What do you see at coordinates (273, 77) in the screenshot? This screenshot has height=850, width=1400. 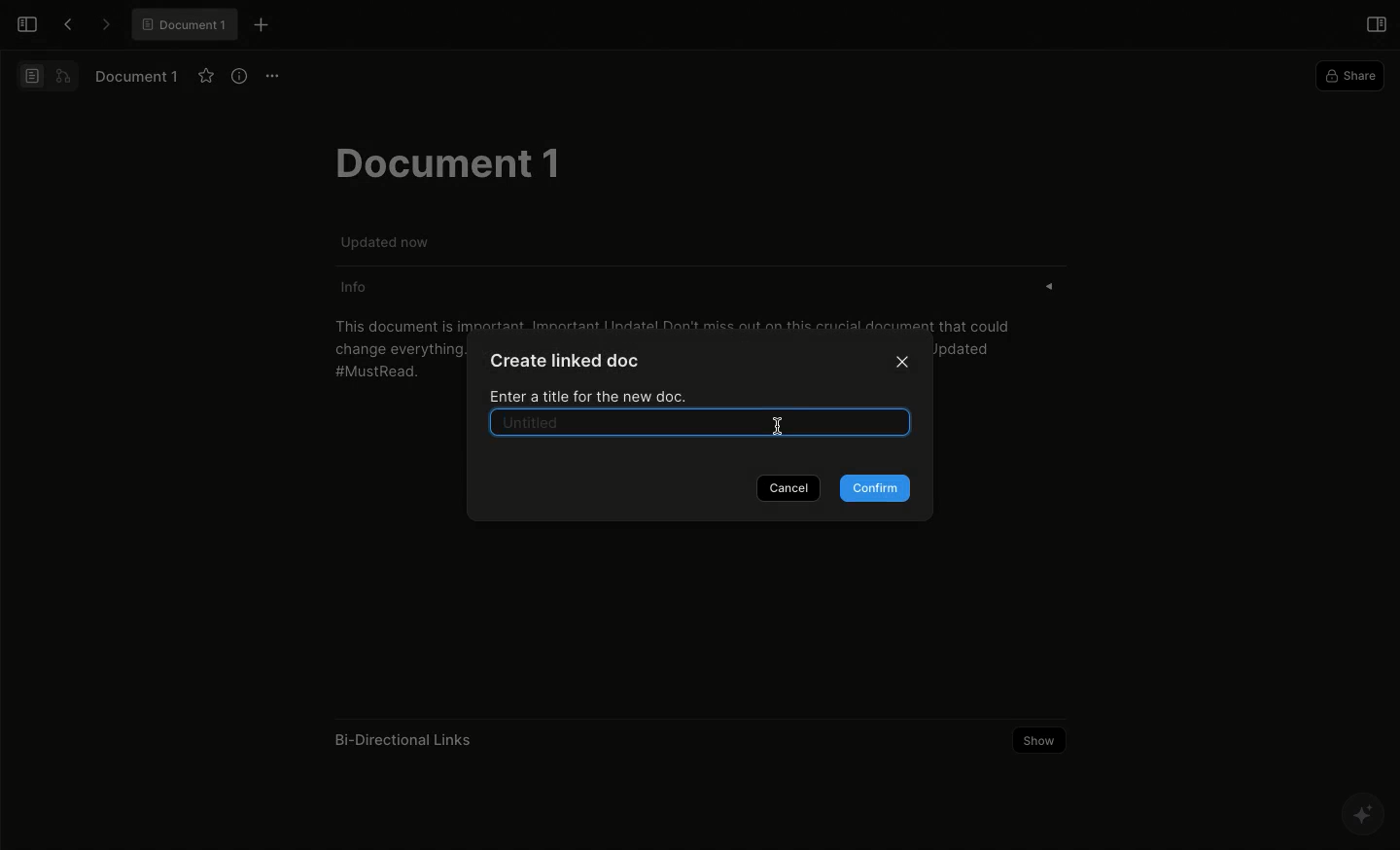 I see `Options` at bounding box center [273, 77].